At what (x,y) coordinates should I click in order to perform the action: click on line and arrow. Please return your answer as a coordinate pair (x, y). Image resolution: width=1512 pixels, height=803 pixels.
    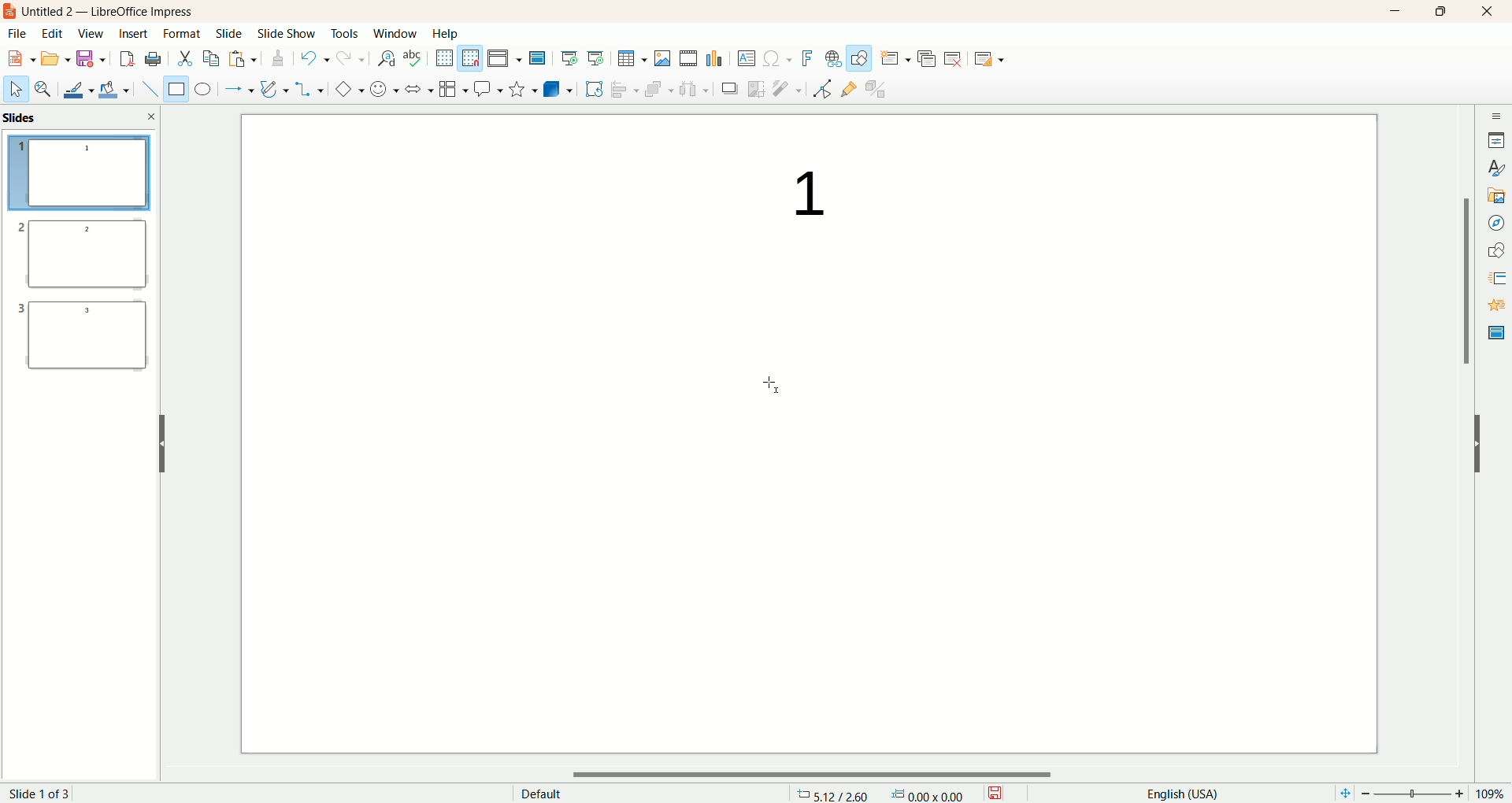
    Looking at the image, I should click on (237, 90).